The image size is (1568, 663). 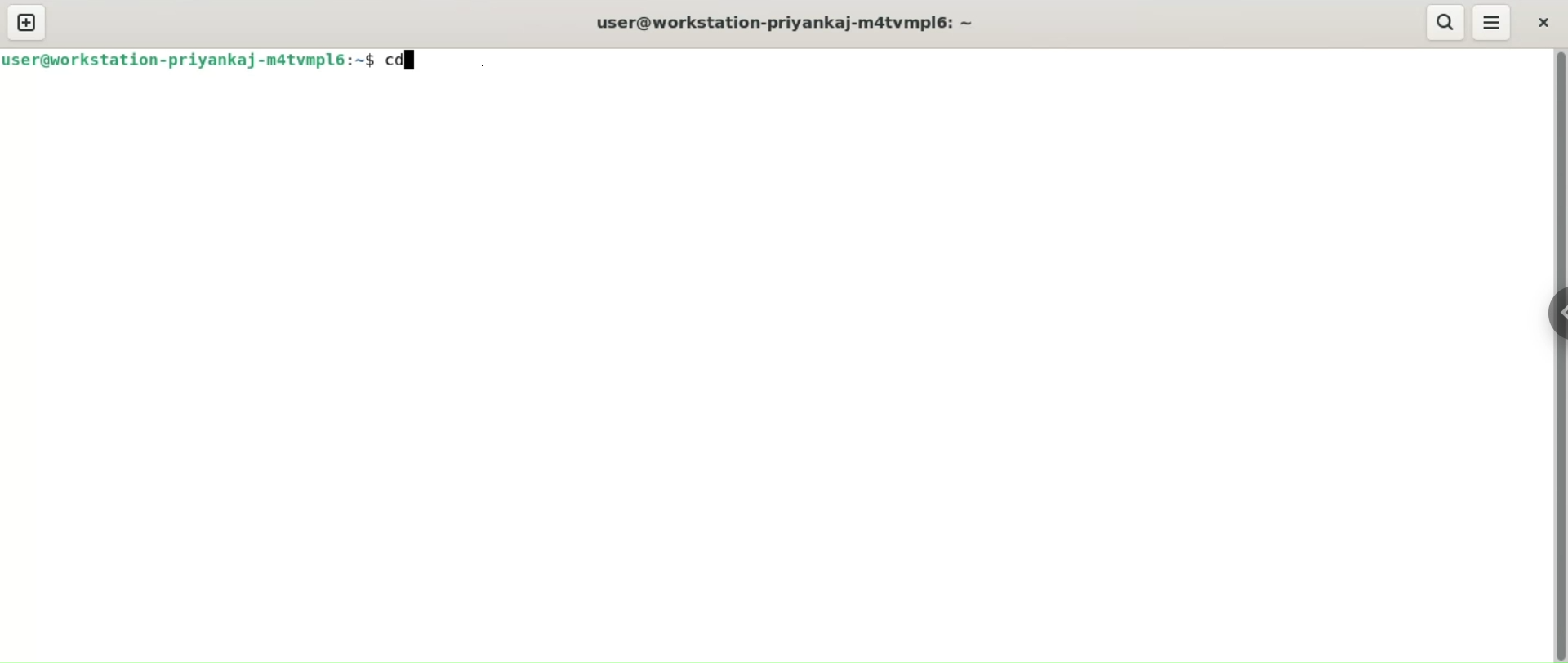 What do you see at coordinates (27, 23) in the screenshot?
I see `new tab` at bounding box center [27, 23].